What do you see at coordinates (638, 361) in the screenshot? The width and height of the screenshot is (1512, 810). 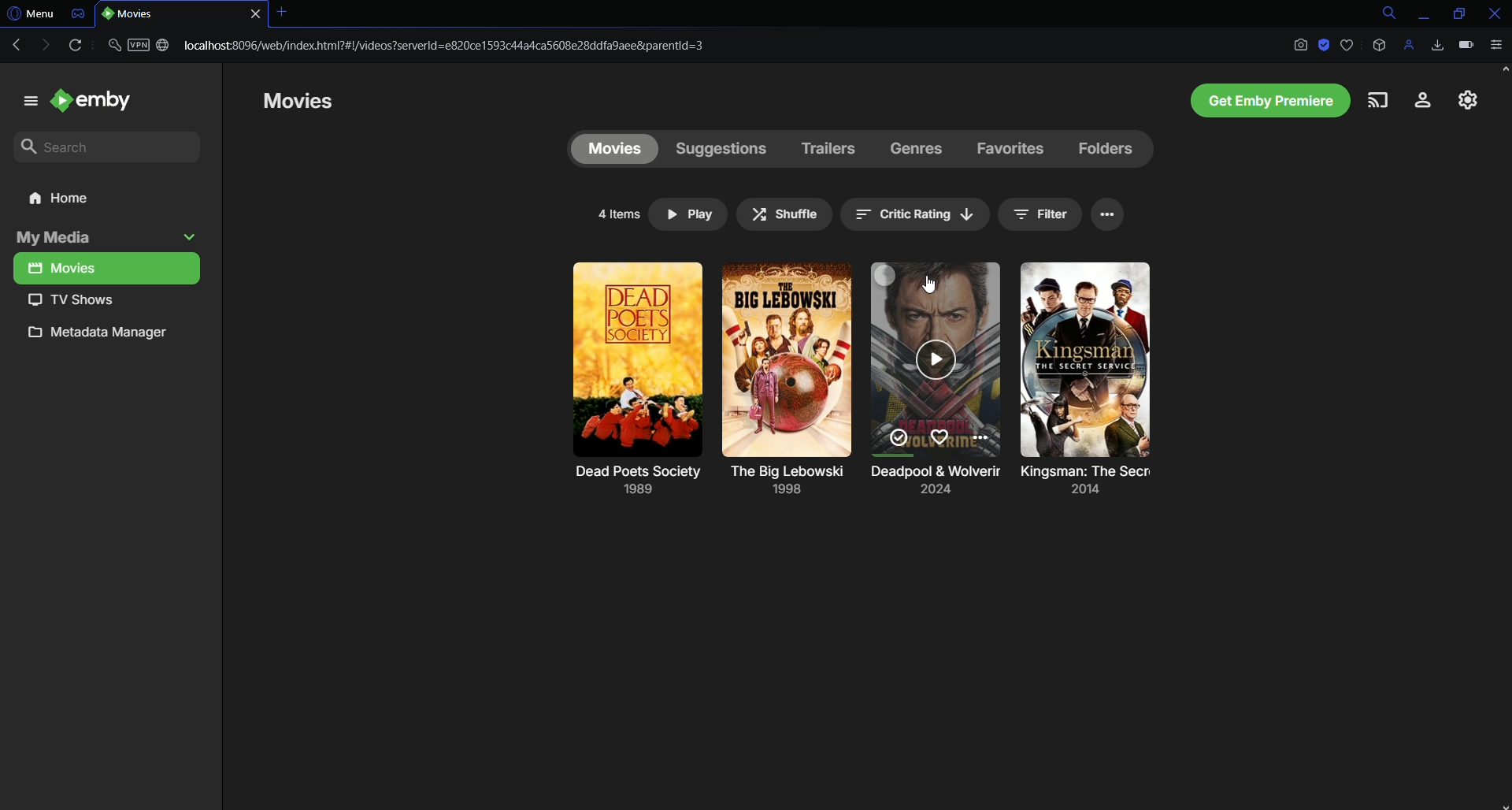 I see `movie poster` at bounding box center [638, 361].